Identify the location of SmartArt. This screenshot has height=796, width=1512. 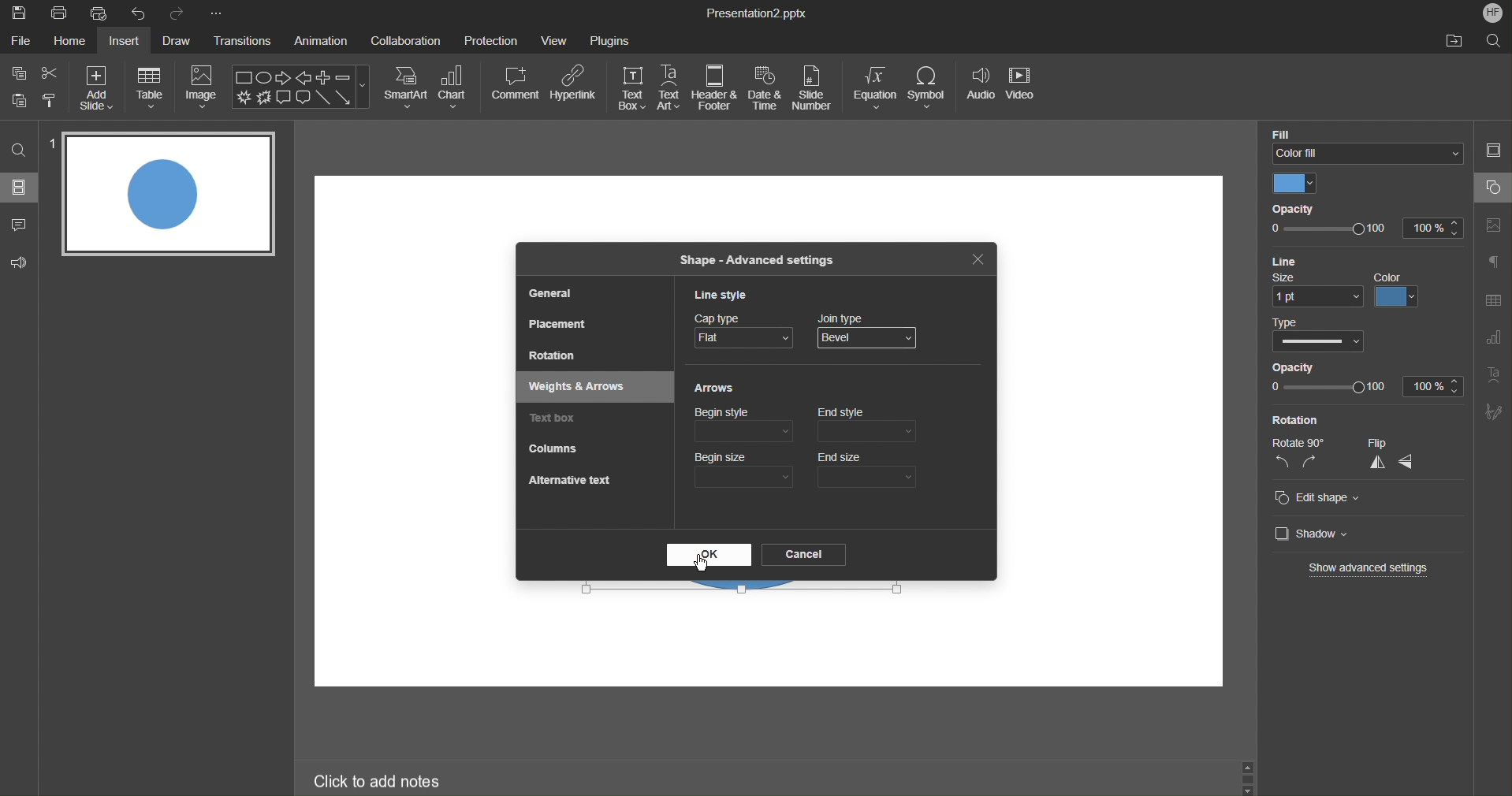
(406, 87).